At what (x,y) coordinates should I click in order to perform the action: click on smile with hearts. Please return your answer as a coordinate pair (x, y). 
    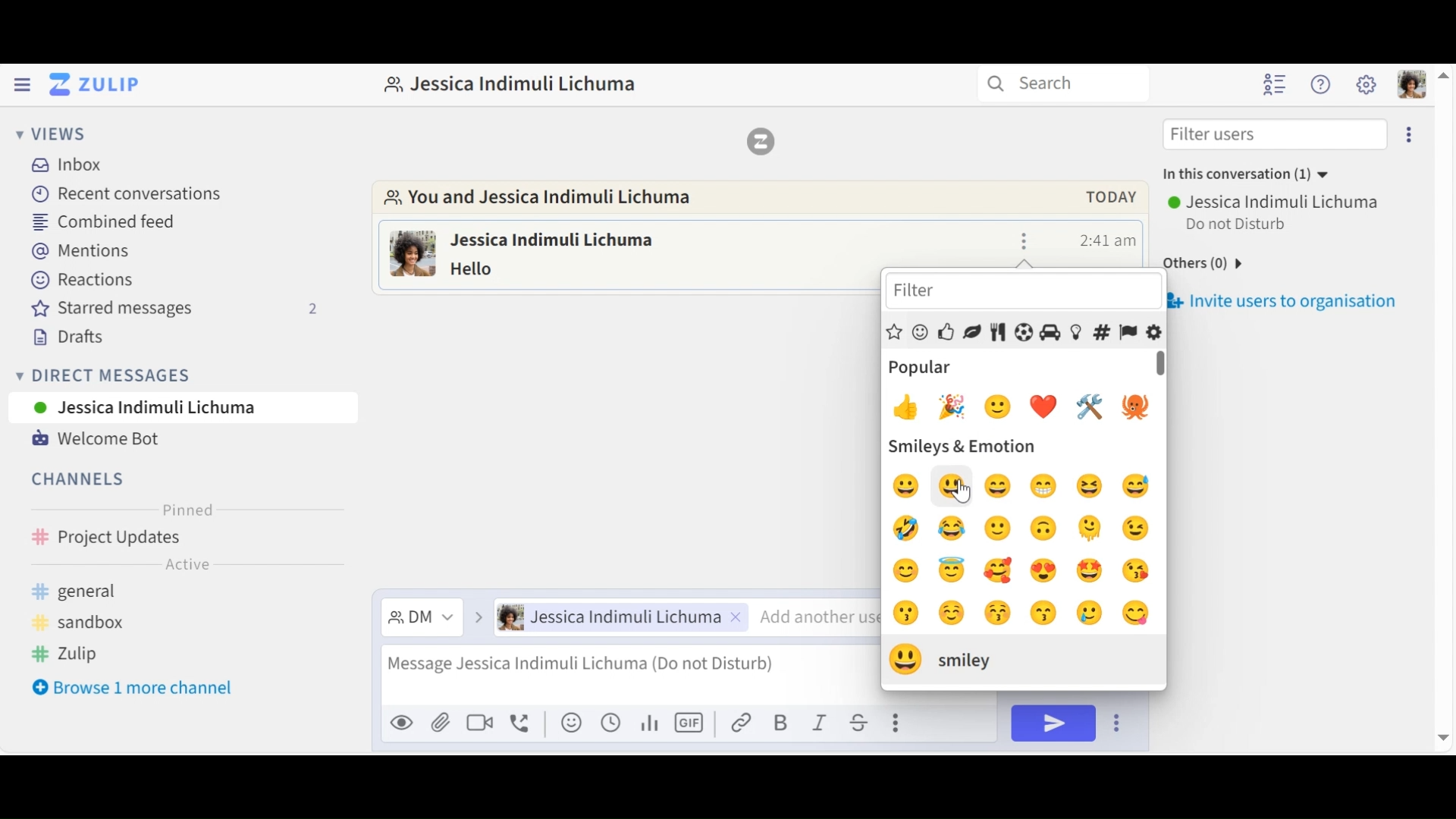
    Looking at the image, I should click on (1002, 570).